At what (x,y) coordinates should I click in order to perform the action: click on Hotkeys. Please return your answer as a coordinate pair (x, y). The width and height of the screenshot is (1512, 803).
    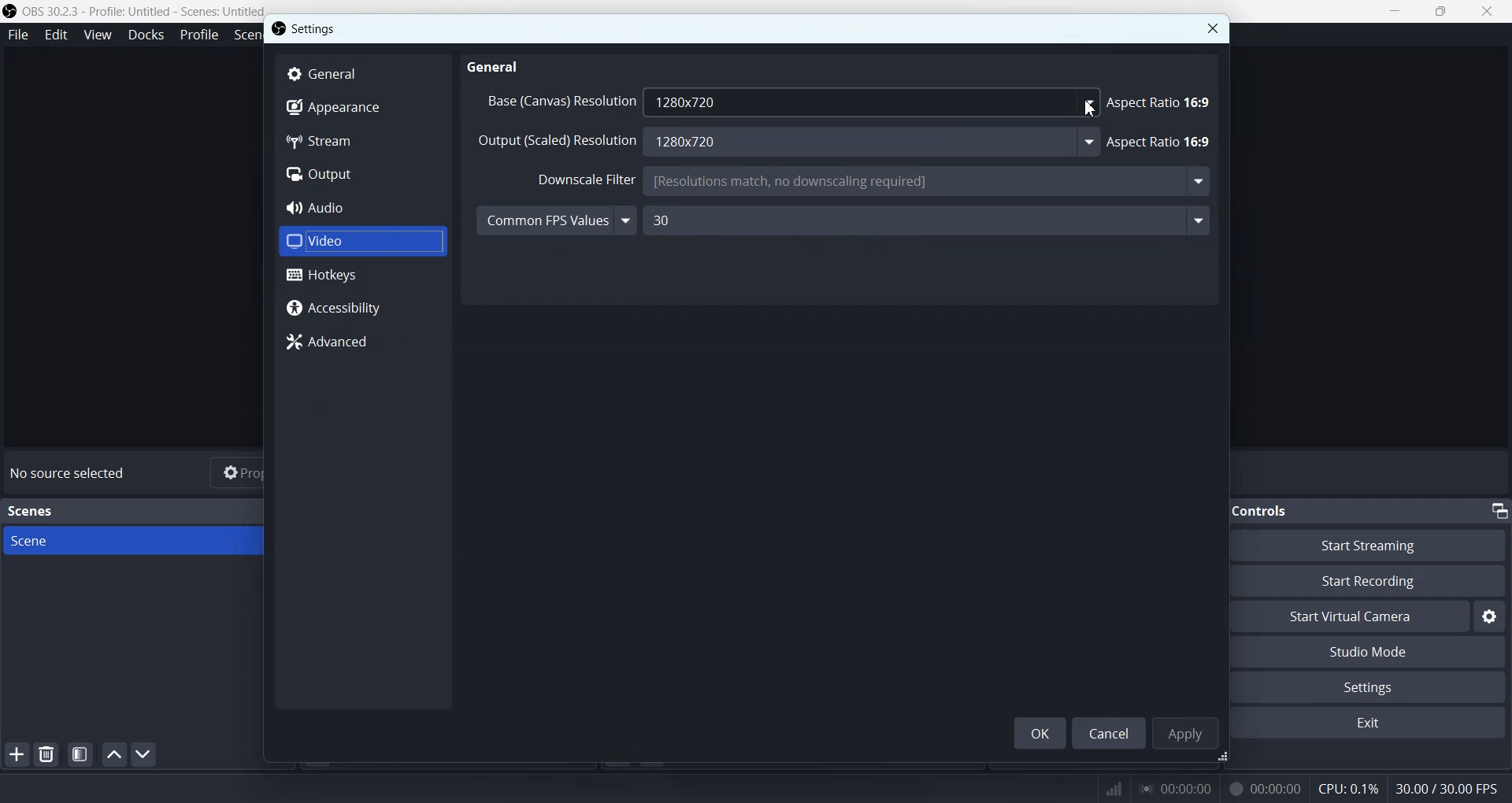
    Looking at the image, I should click on (363, 275).